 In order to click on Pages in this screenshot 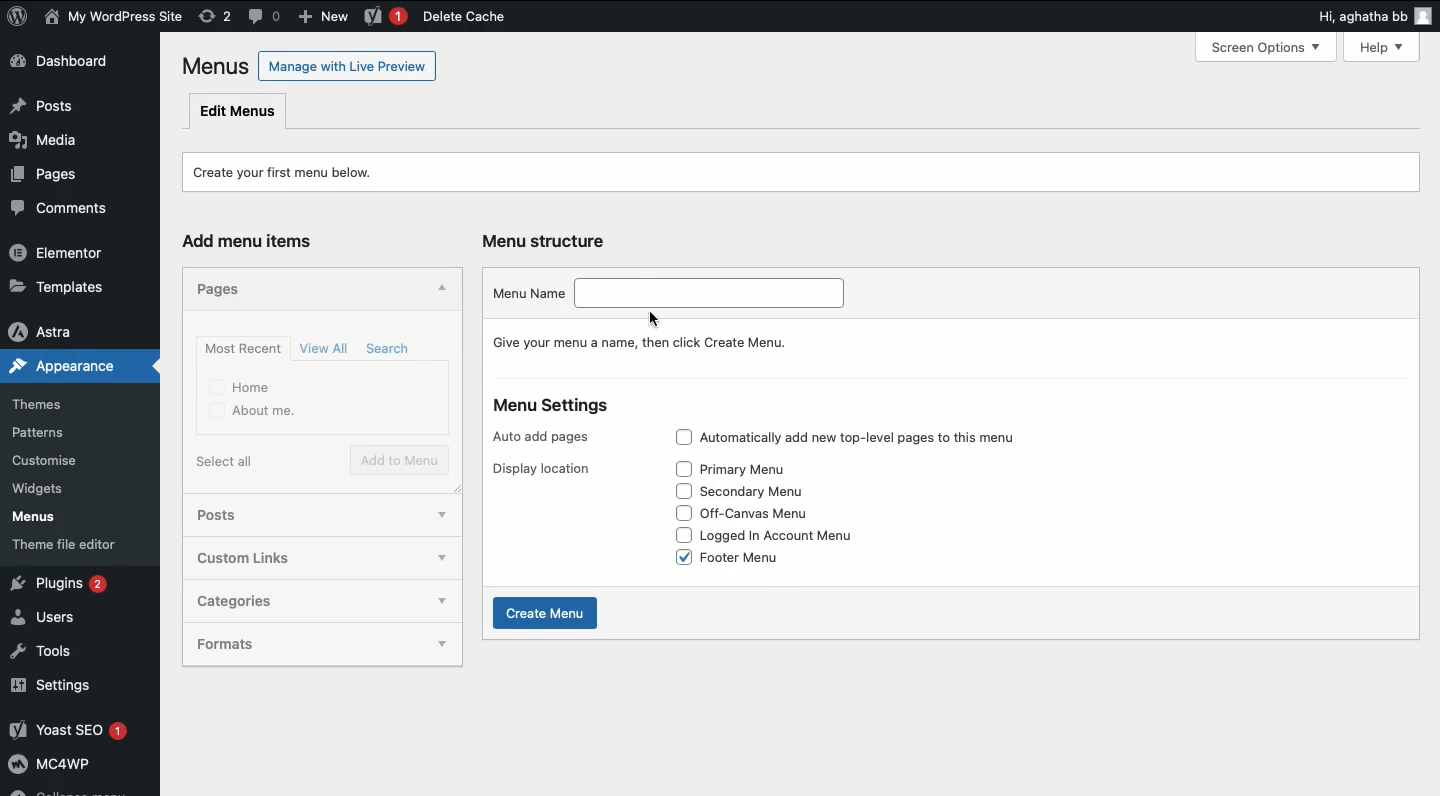, I will do `click(215, 289)`.